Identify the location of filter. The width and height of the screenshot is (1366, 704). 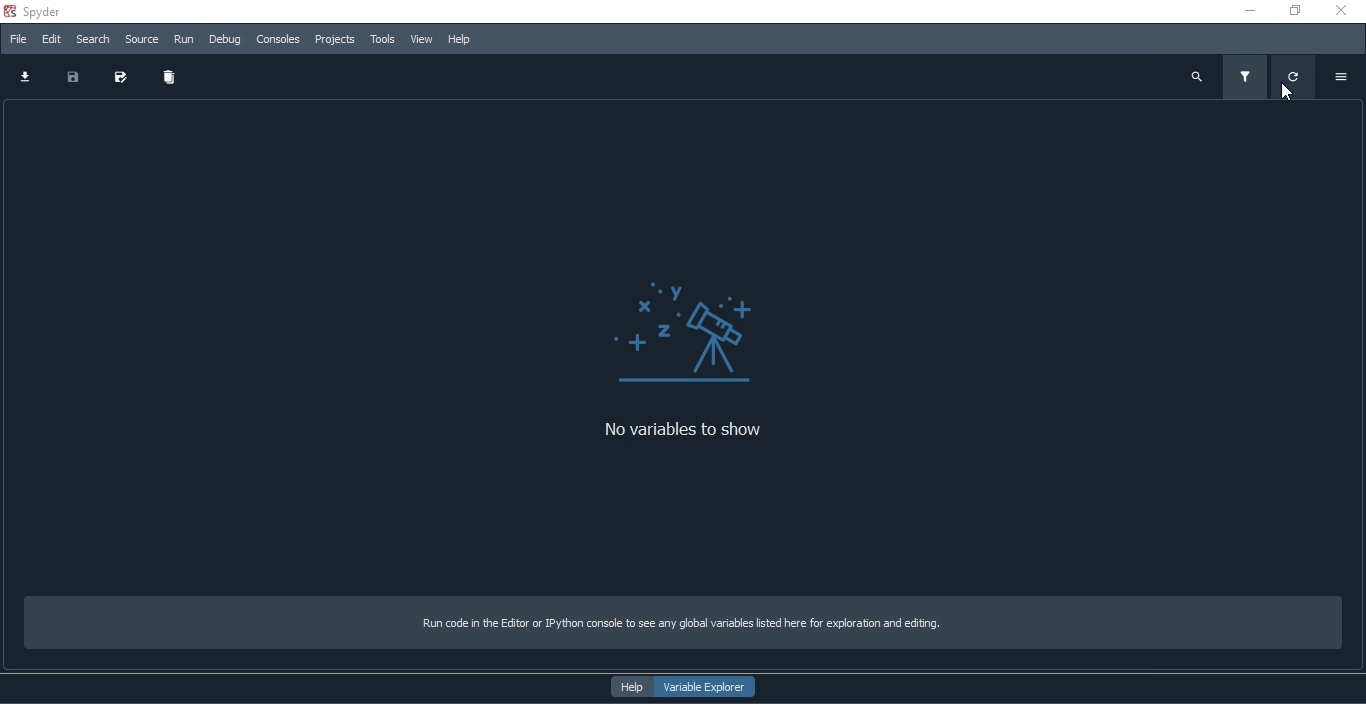
(1245, 79).